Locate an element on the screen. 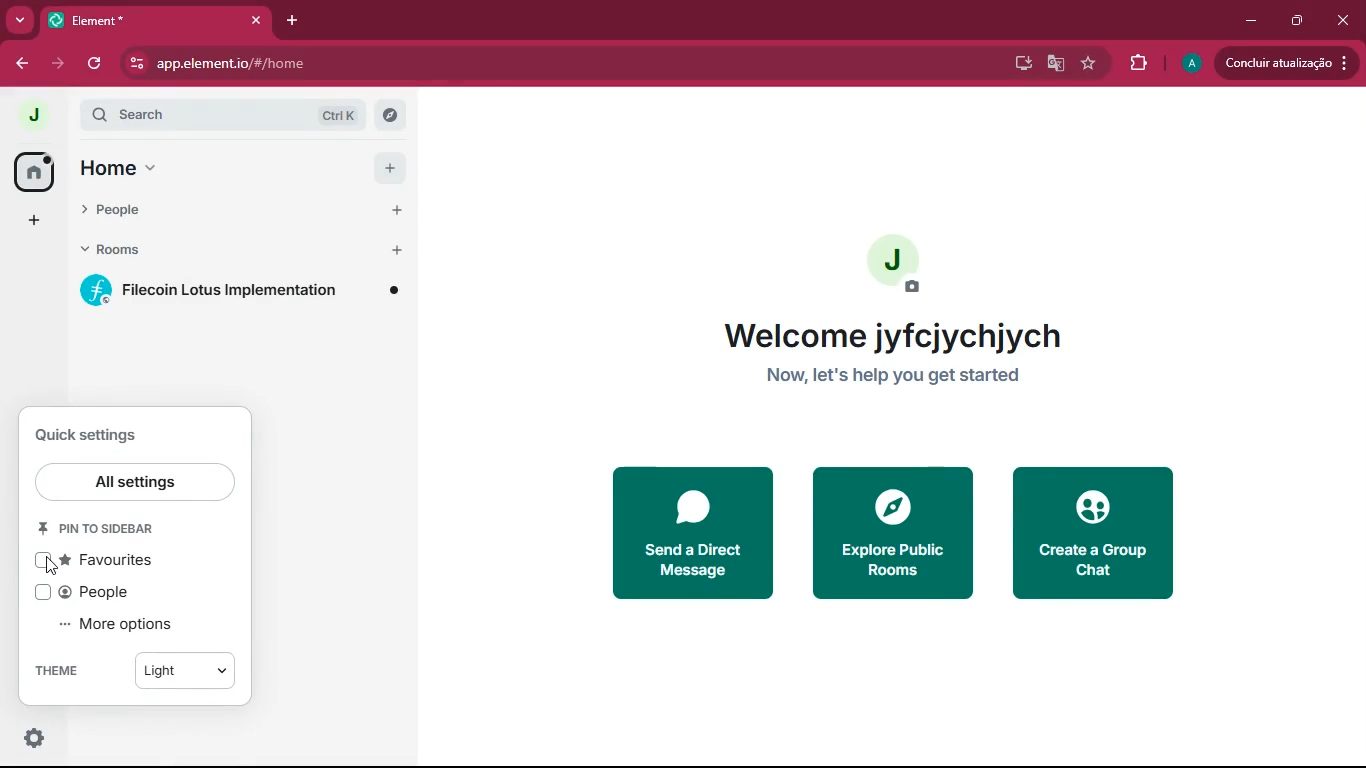 The height and width of the screenshot is (768, 1366). room is located at coordinates (239, 292).